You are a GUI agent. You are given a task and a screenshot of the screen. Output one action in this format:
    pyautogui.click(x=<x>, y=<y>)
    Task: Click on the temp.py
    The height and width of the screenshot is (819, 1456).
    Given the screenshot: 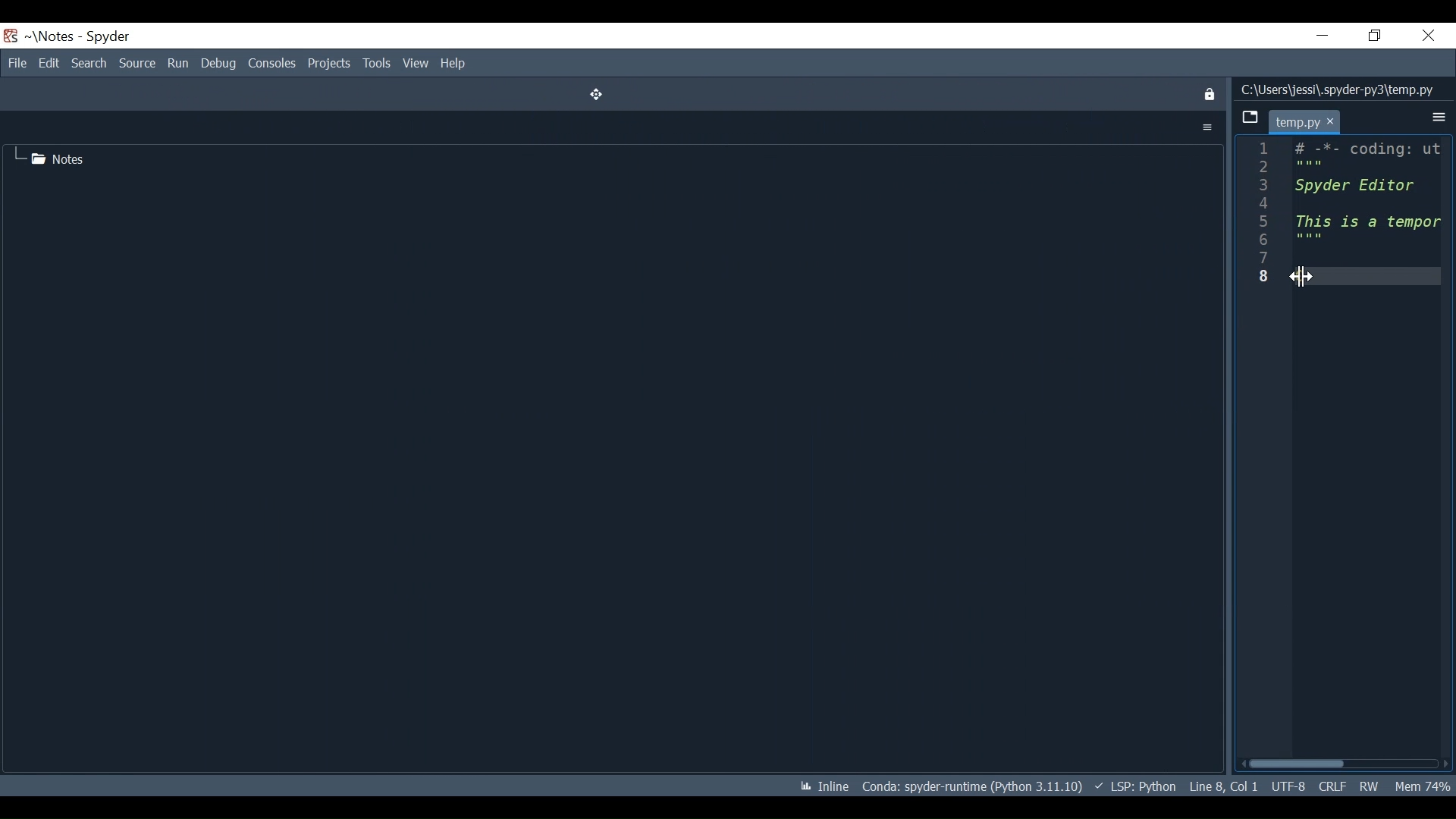 What is the action you would take?
    pyautogui.click(x=1297, y=123)
    